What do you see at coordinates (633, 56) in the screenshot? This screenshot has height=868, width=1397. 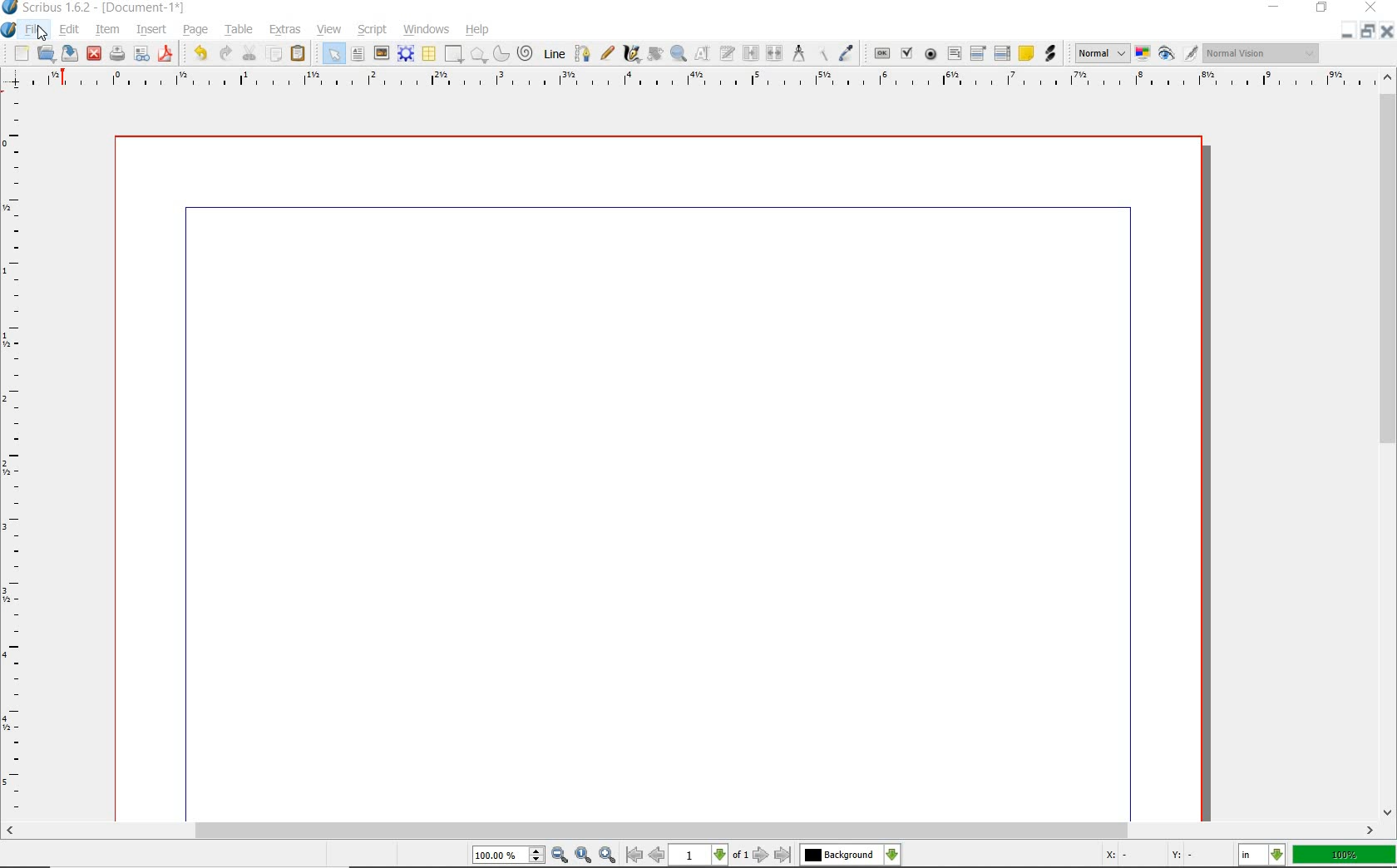 I see `calligraphic line` at bounding box center [633, 56].